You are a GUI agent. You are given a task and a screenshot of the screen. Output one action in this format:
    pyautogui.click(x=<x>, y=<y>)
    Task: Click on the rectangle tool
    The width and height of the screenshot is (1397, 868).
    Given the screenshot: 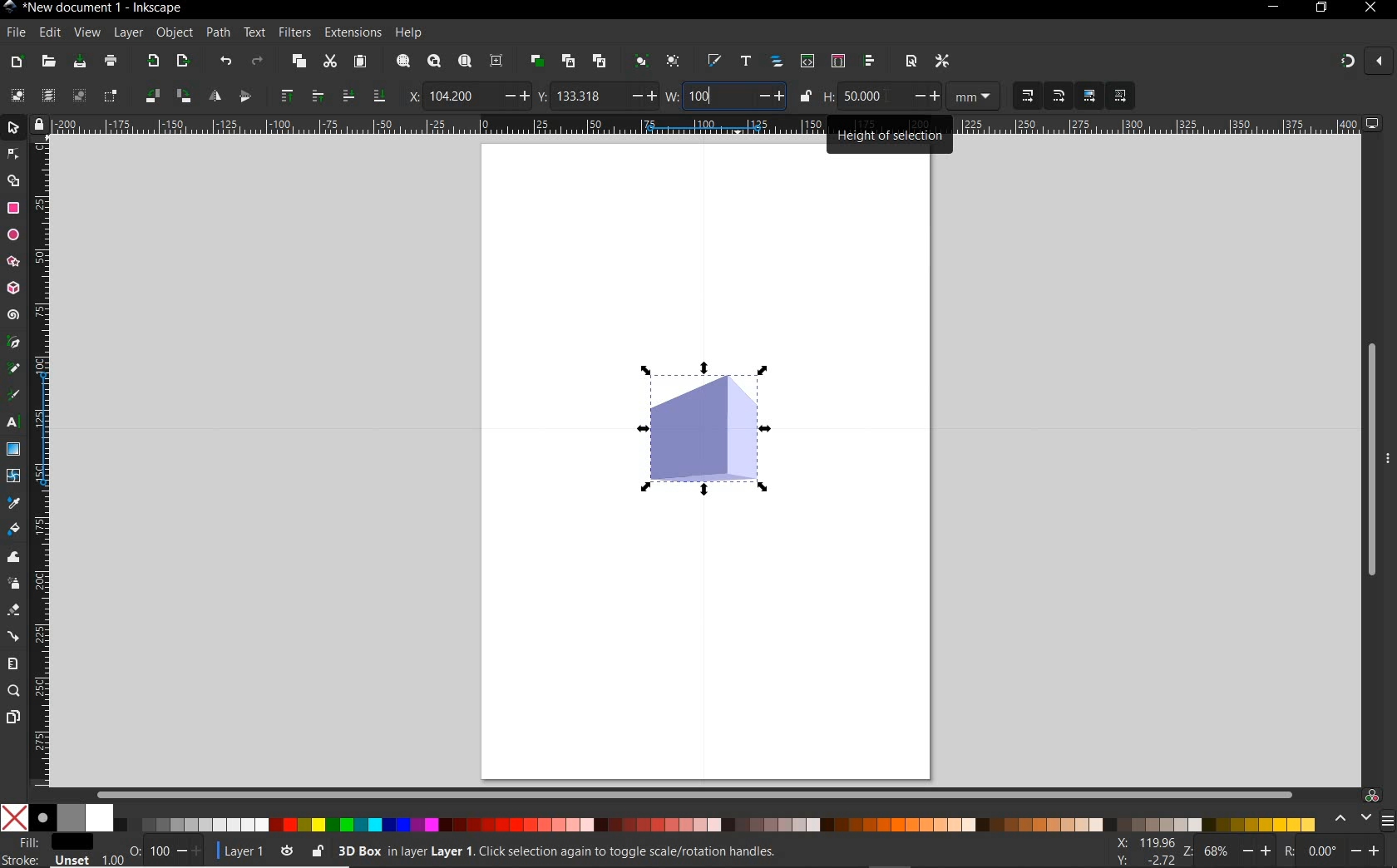 What is the action you would take?
    pyautogui.click(x=13, y=209)
    